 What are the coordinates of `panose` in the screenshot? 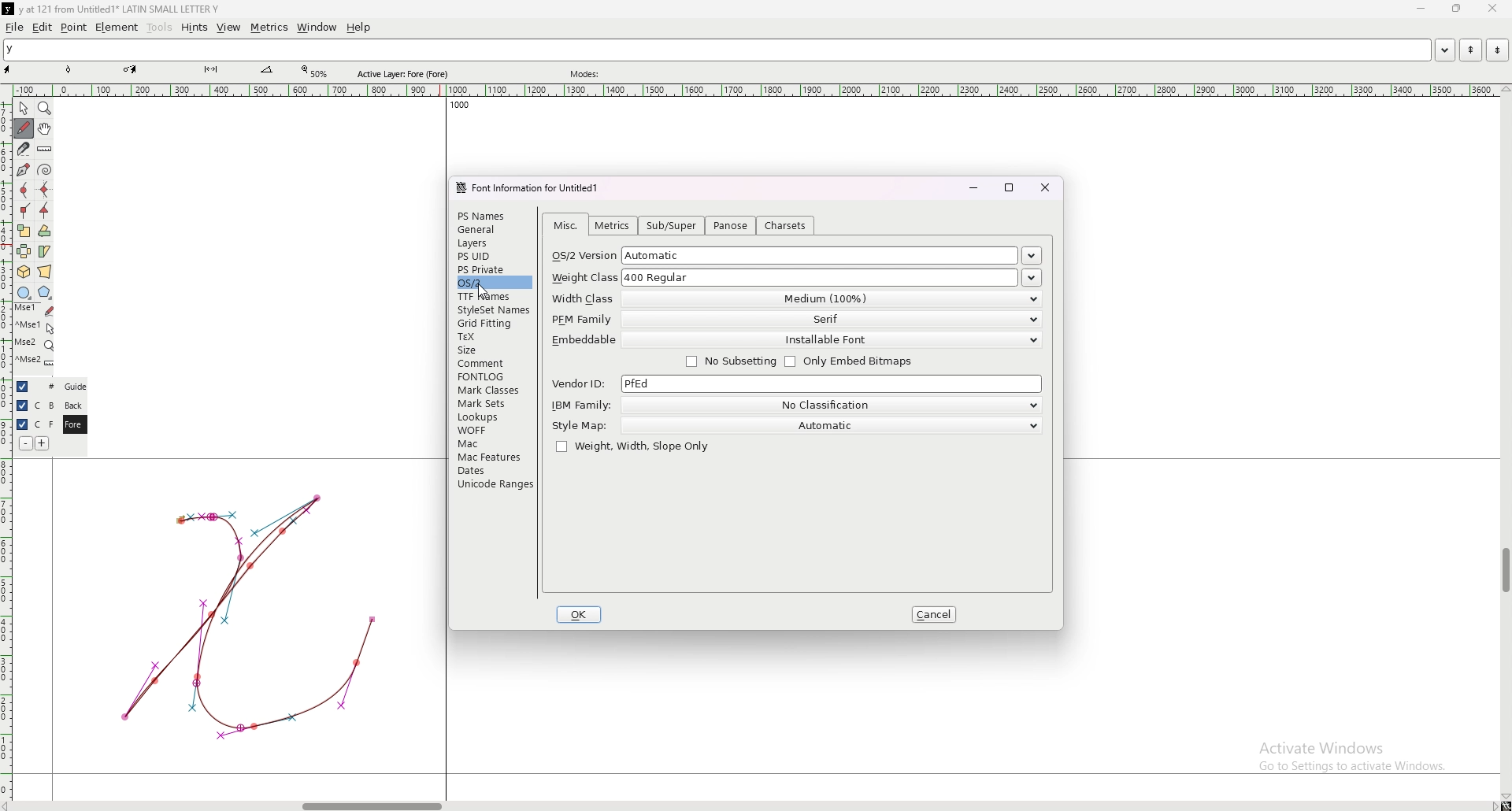 It's located at (732, 226).